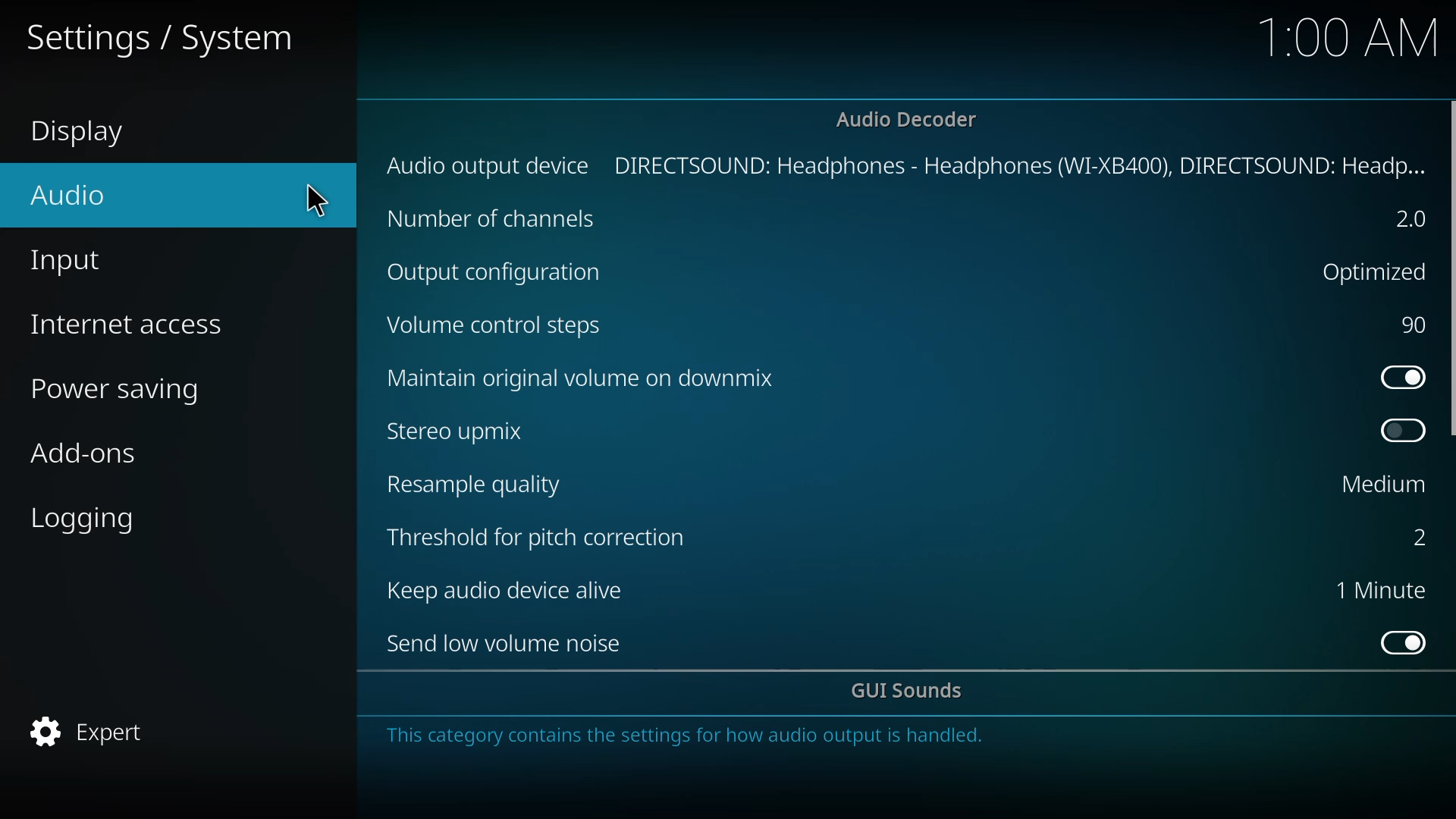 The height and width of the screenshot is (819, 1456). Describe the element at coordinates (696, 736) in the screenshot. I see `info` at that location.